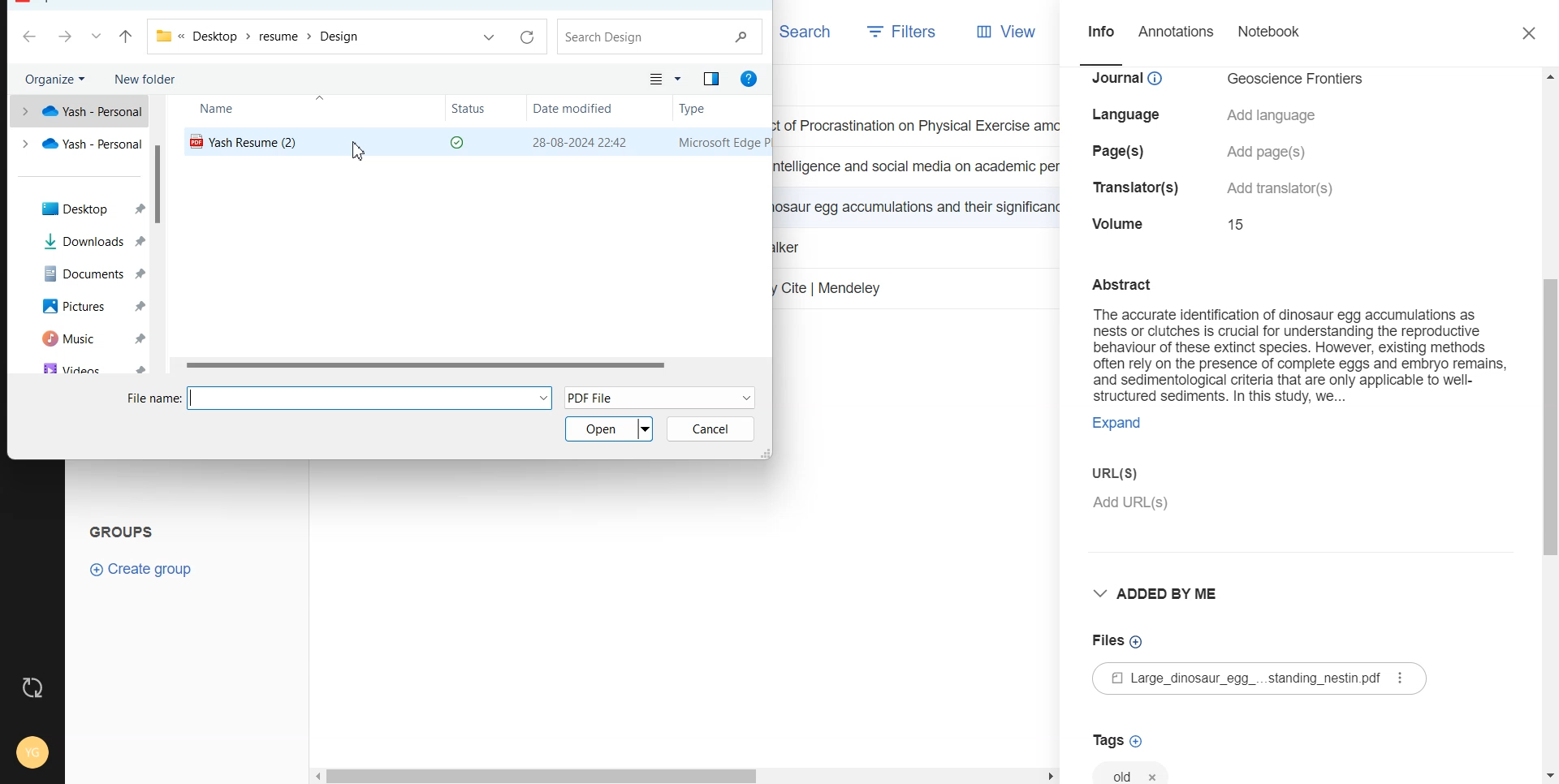 This screenshot has height=784, width=1559. I want to click on Search , so click(805, 31).